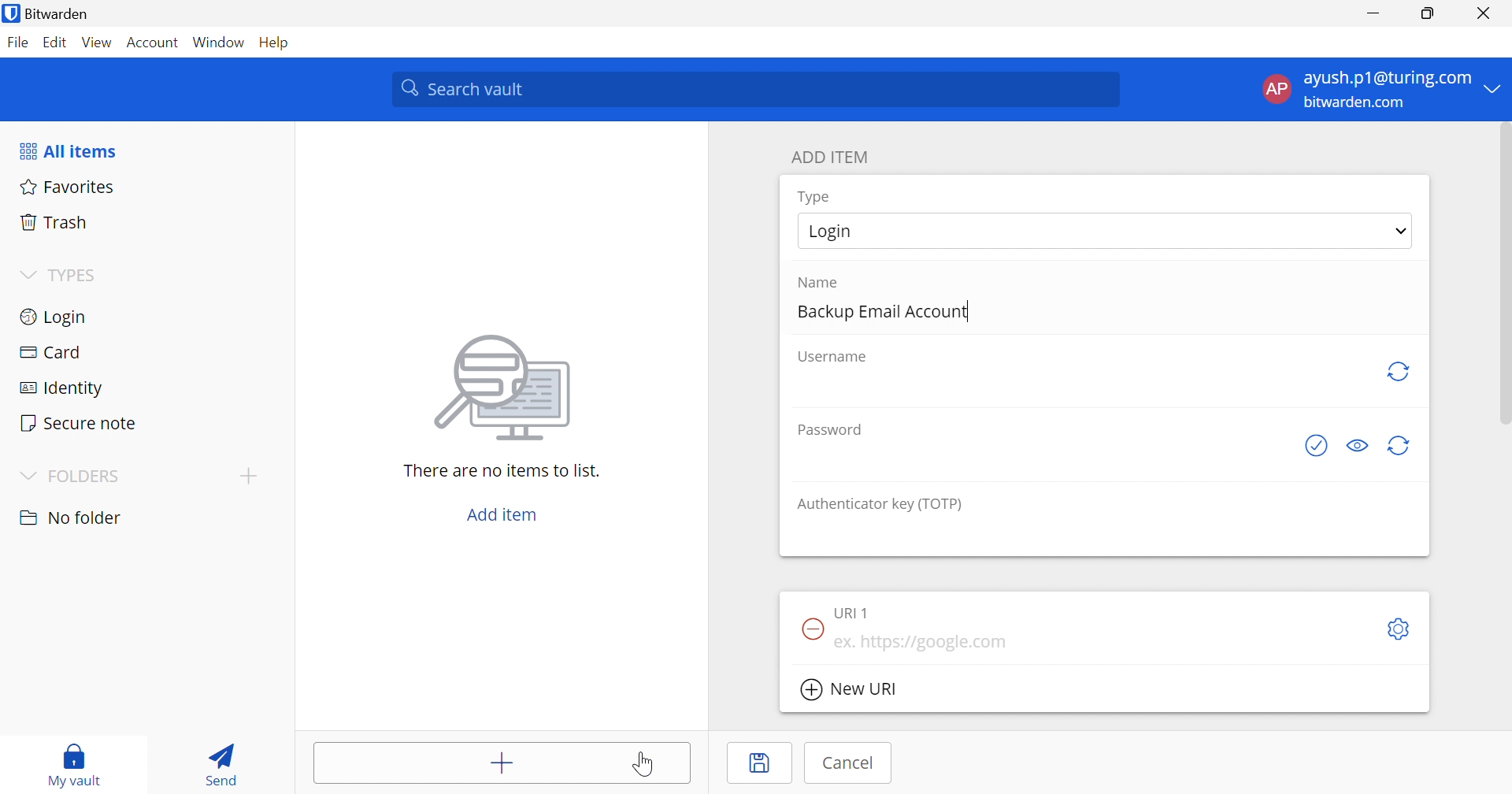 The width and height of the screenshot is (1512, 794). I want to click on Identity, so click(56, 390).